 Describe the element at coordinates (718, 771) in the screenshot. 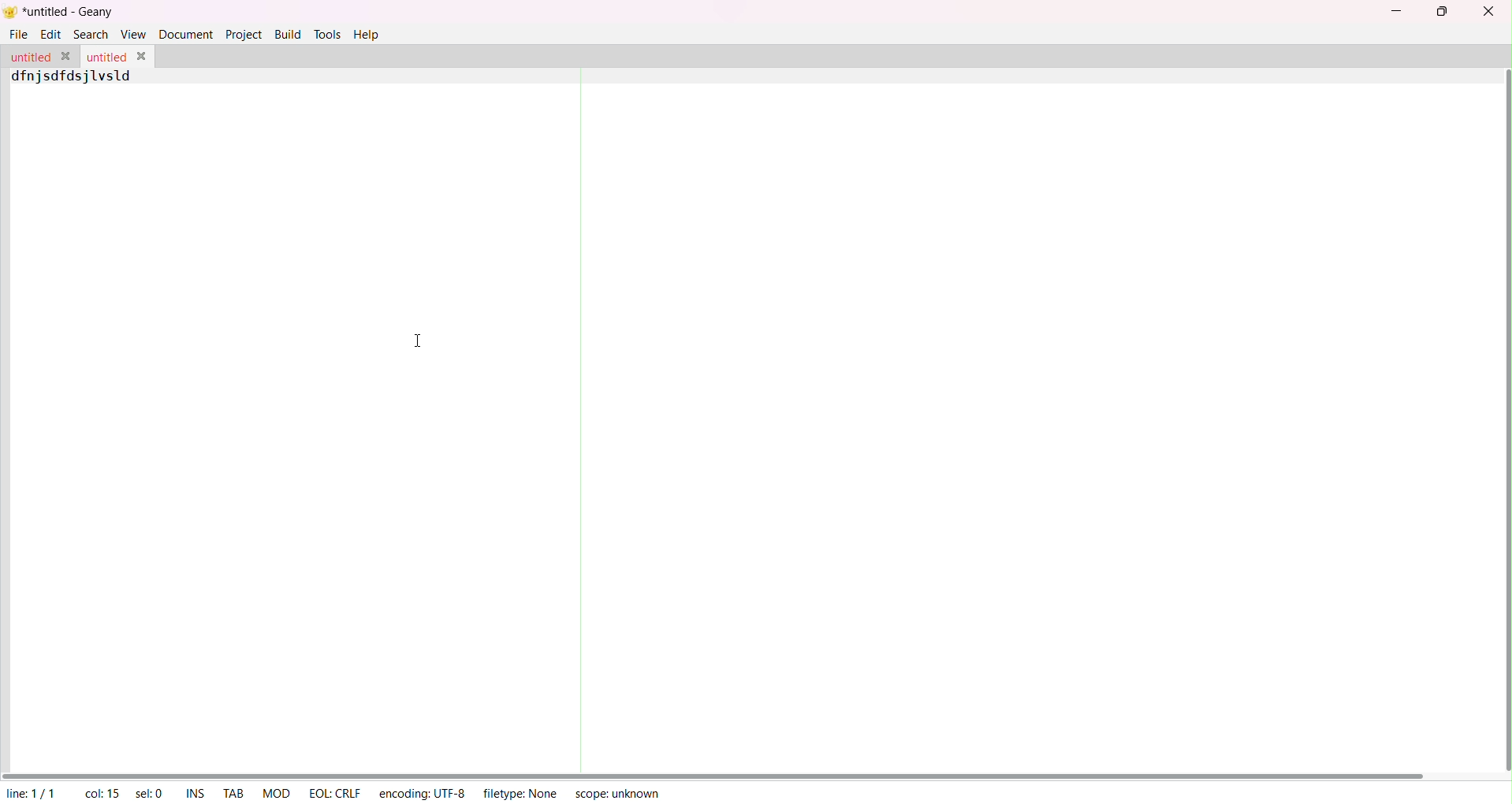

I see `horizontal scroll bar` at that location.